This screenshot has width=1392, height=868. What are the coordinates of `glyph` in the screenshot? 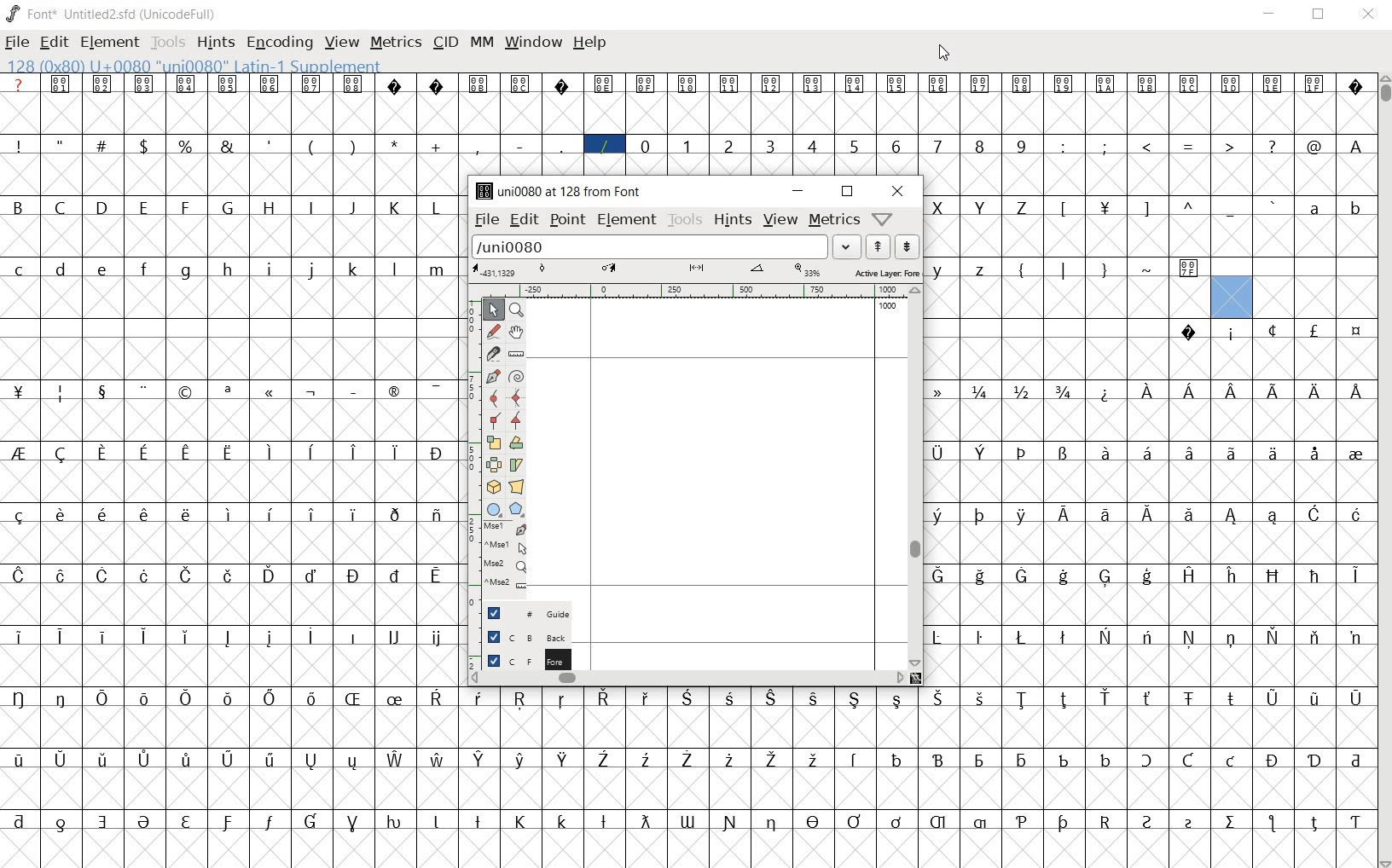 It's located at (1356, 147).